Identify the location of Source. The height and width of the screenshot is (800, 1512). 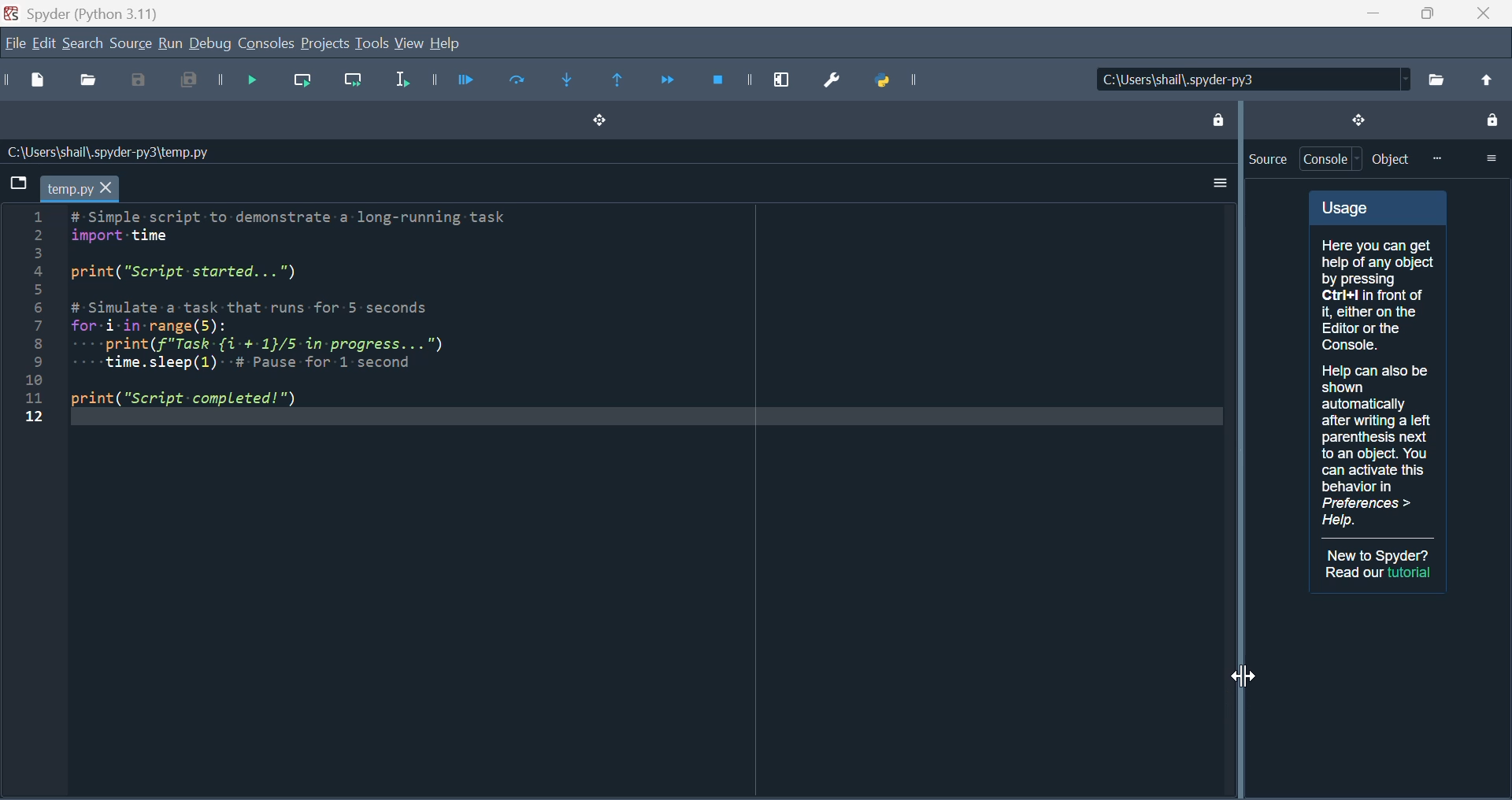
(130, 43).